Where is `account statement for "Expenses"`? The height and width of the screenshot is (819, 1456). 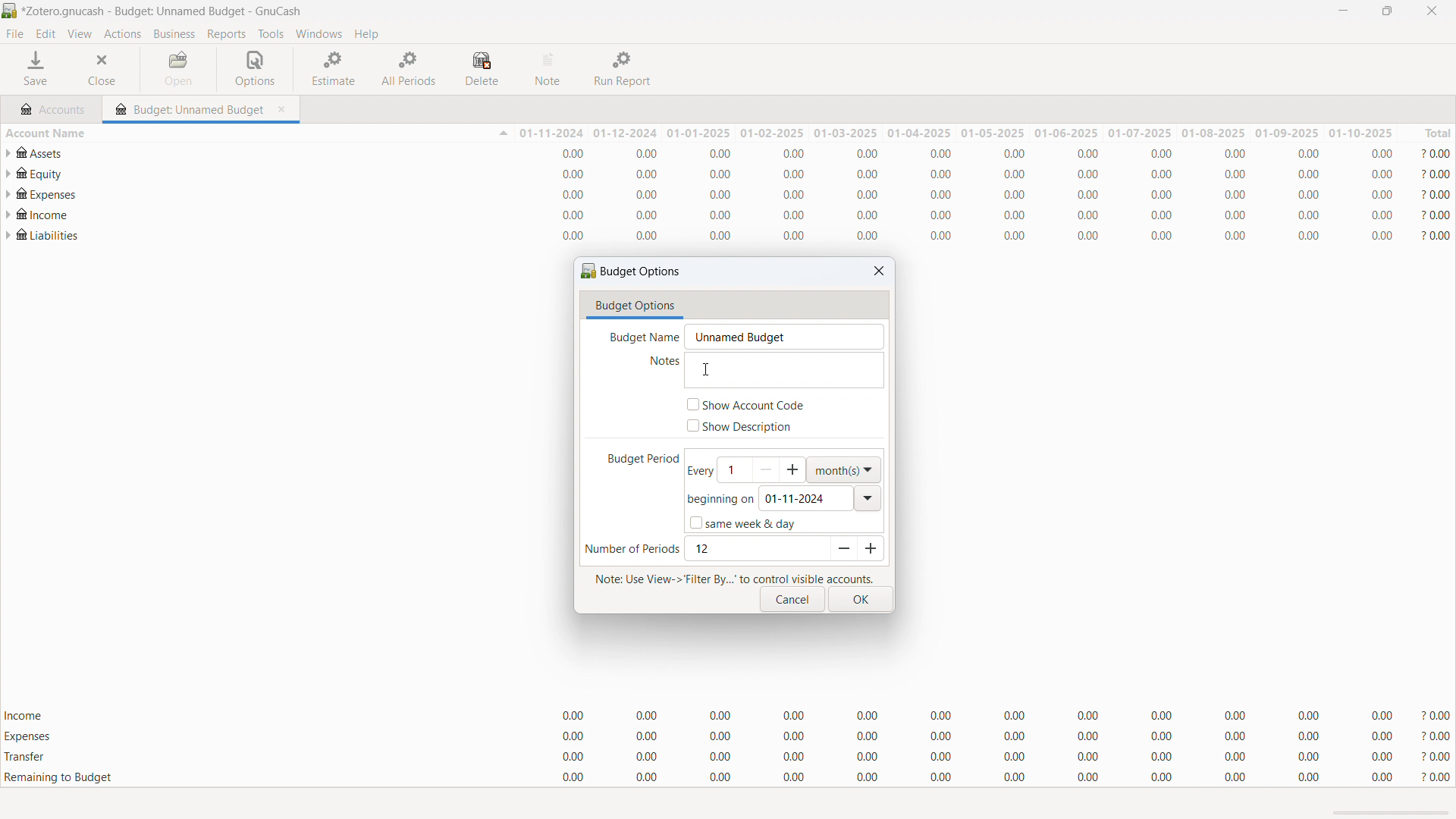
account statement for "Expenses" is located at coordinates (738, 194).